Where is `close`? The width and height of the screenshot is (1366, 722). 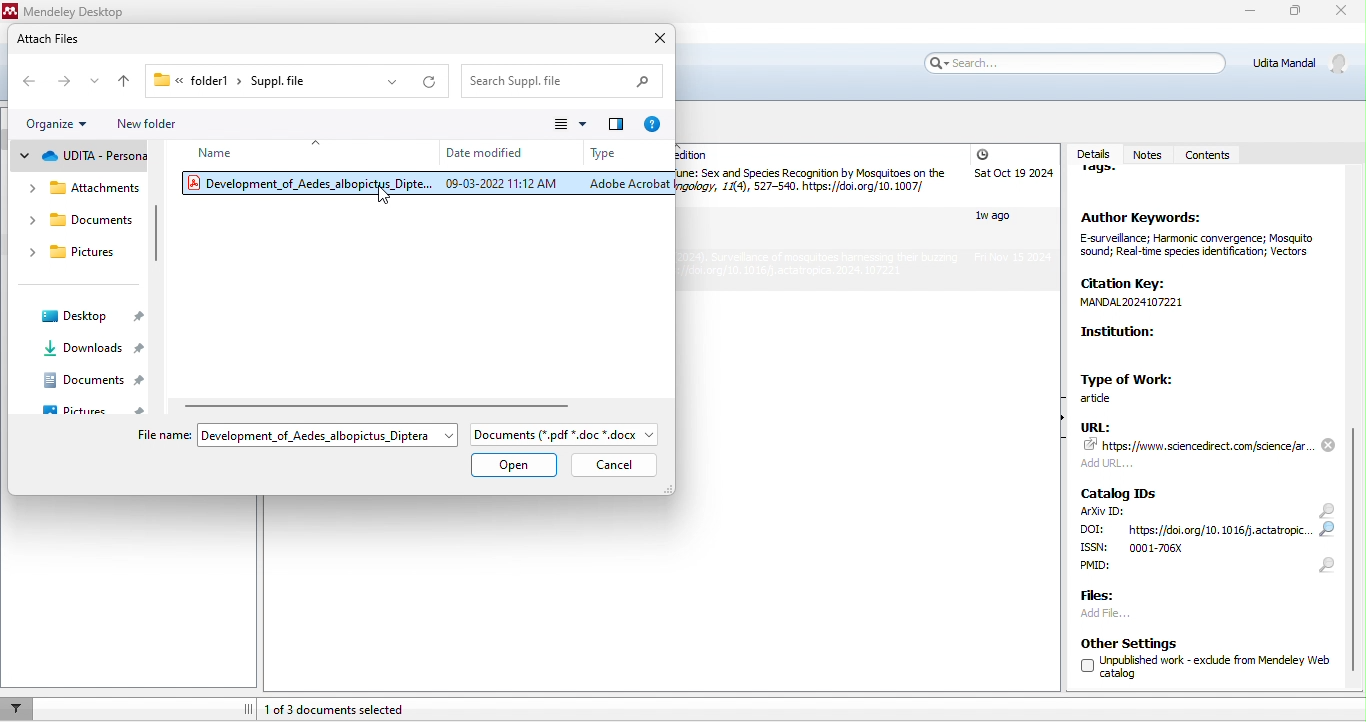
close is located at coordinates (655, 38).